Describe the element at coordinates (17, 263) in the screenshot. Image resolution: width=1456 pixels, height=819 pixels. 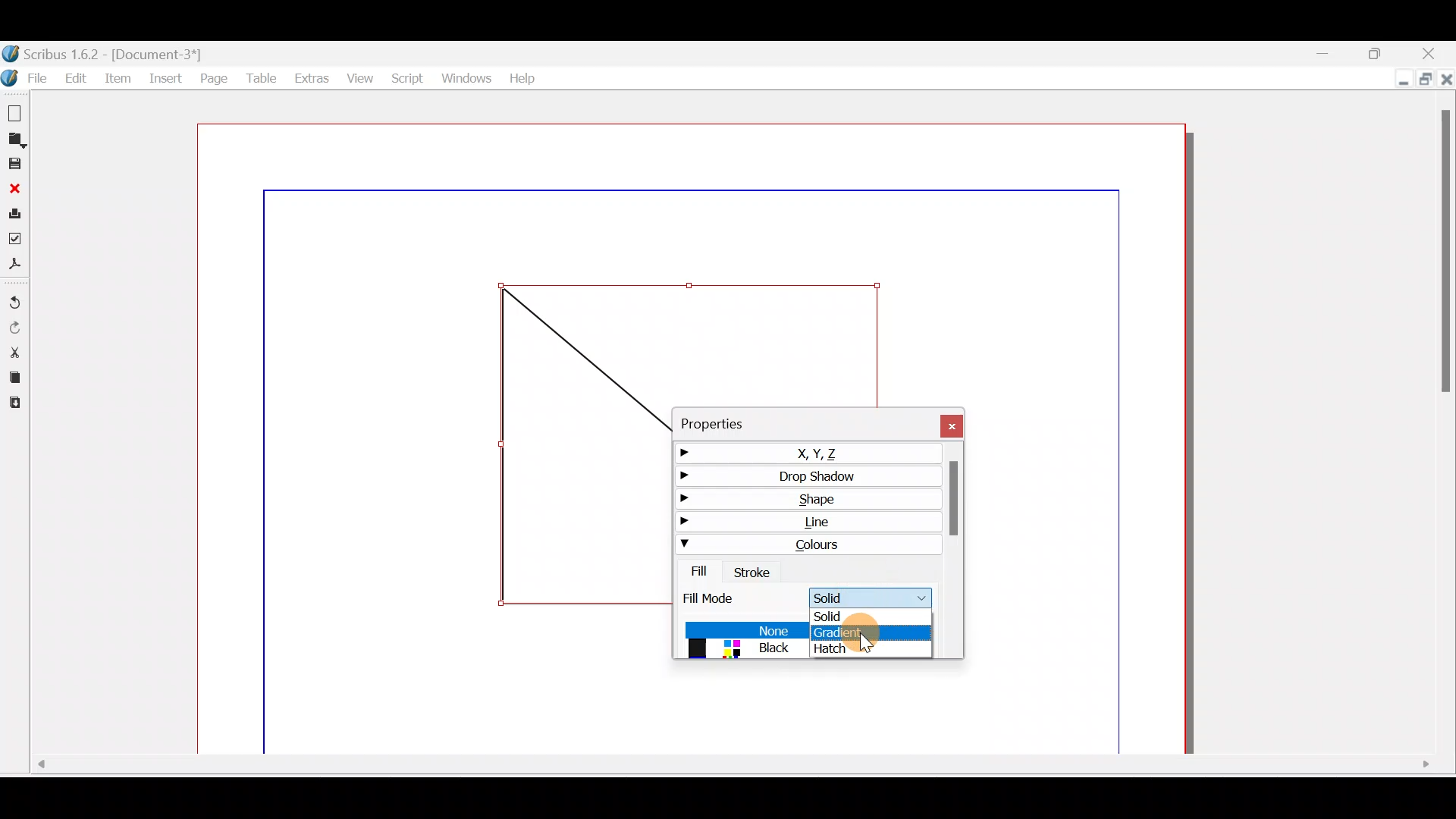
I see `Save as PDF` at that location.